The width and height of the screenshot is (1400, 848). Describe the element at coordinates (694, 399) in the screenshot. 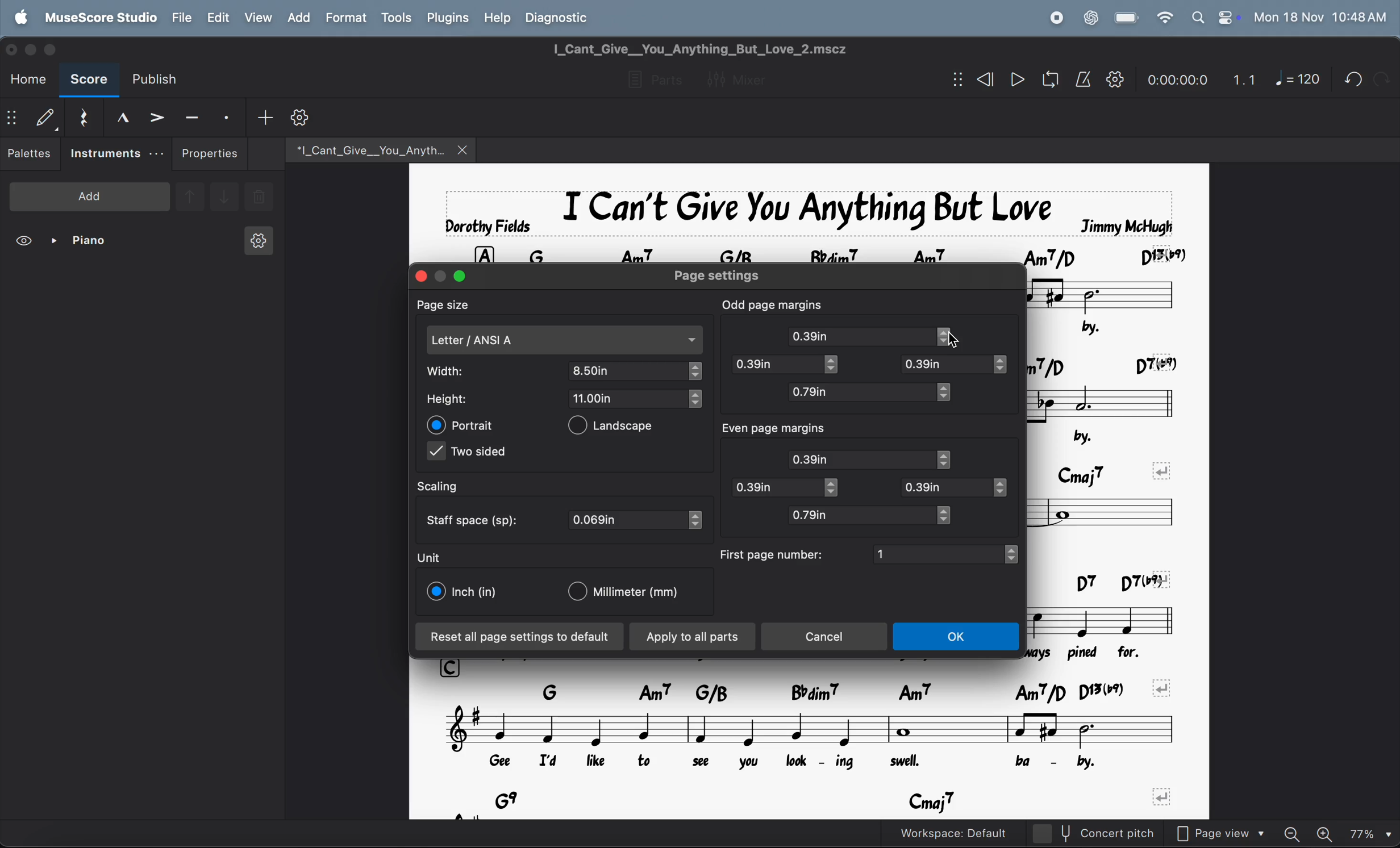

I see `toggle` at that location.